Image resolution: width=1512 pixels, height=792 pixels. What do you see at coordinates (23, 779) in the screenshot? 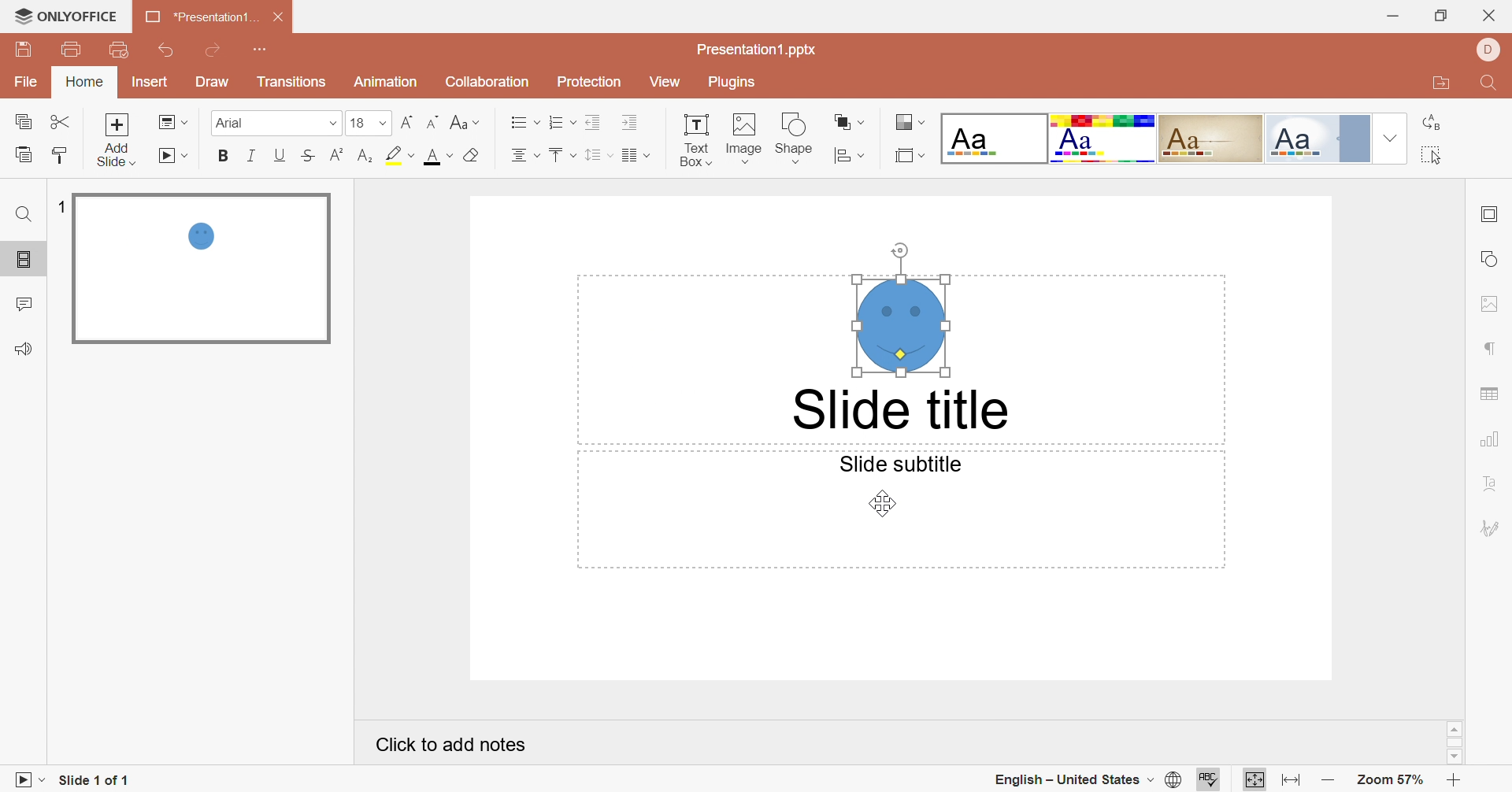
I see `Start slideshow` at bounding box center [23, 779].